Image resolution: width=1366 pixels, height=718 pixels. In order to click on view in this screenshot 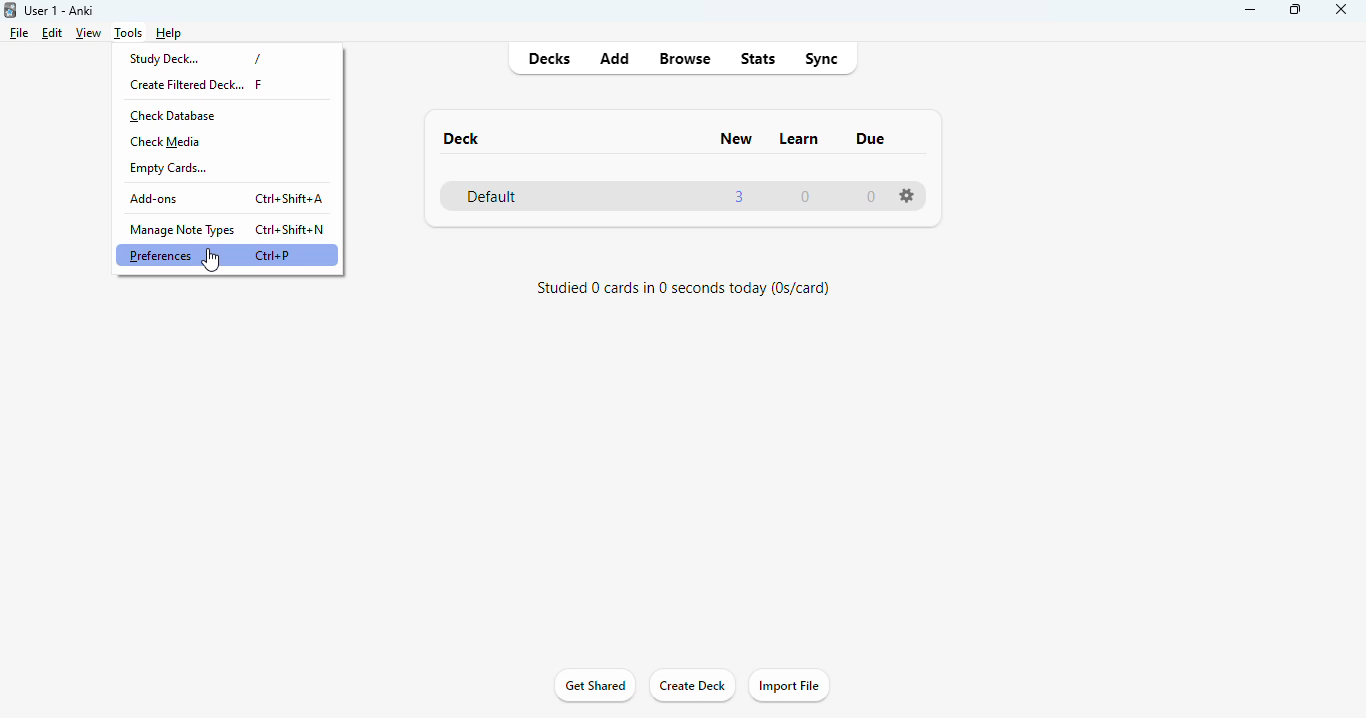, I will do `click(88, 34)`.